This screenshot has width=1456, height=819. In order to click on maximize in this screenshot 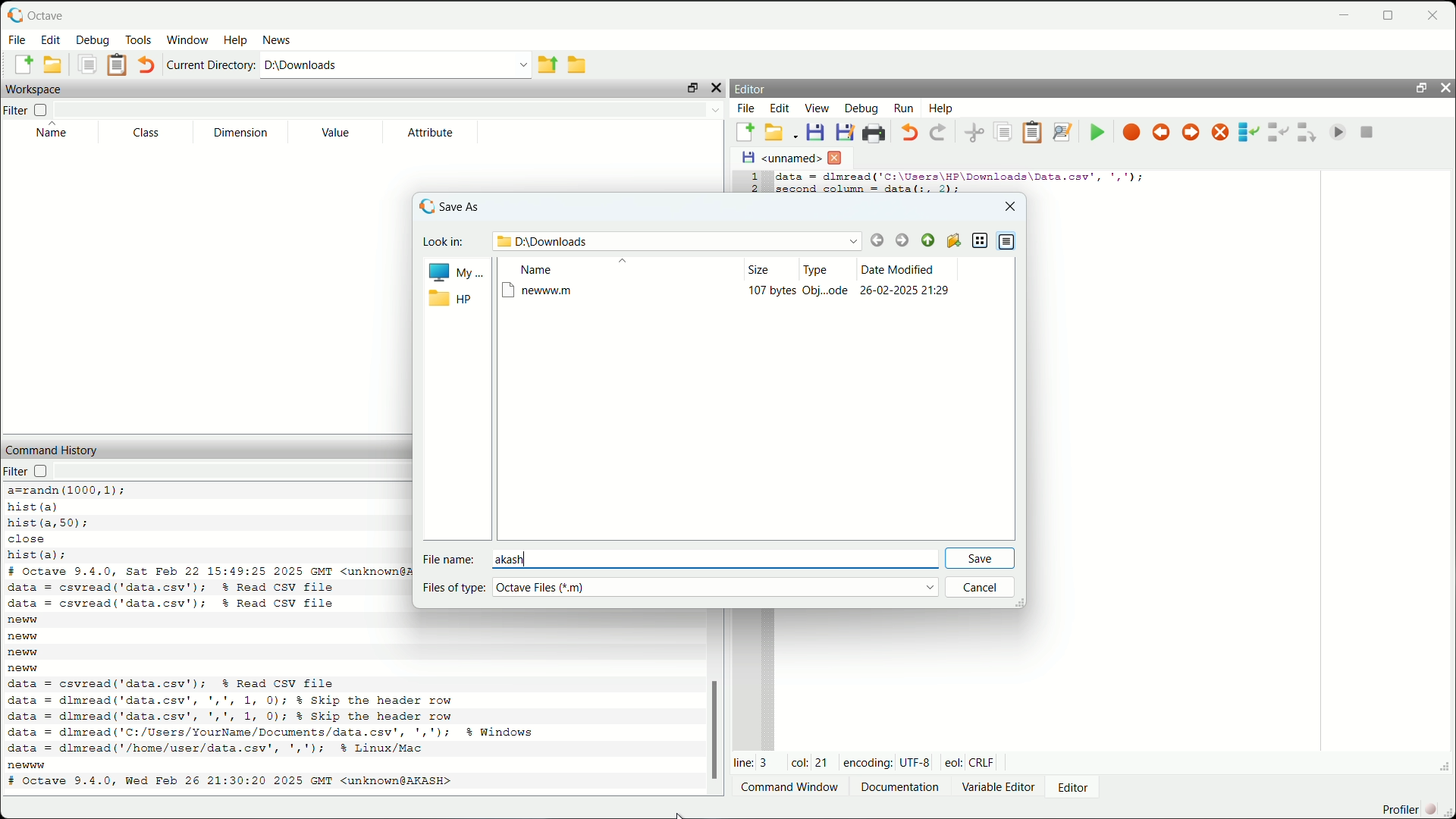, I will do `click(1394, 11)`.